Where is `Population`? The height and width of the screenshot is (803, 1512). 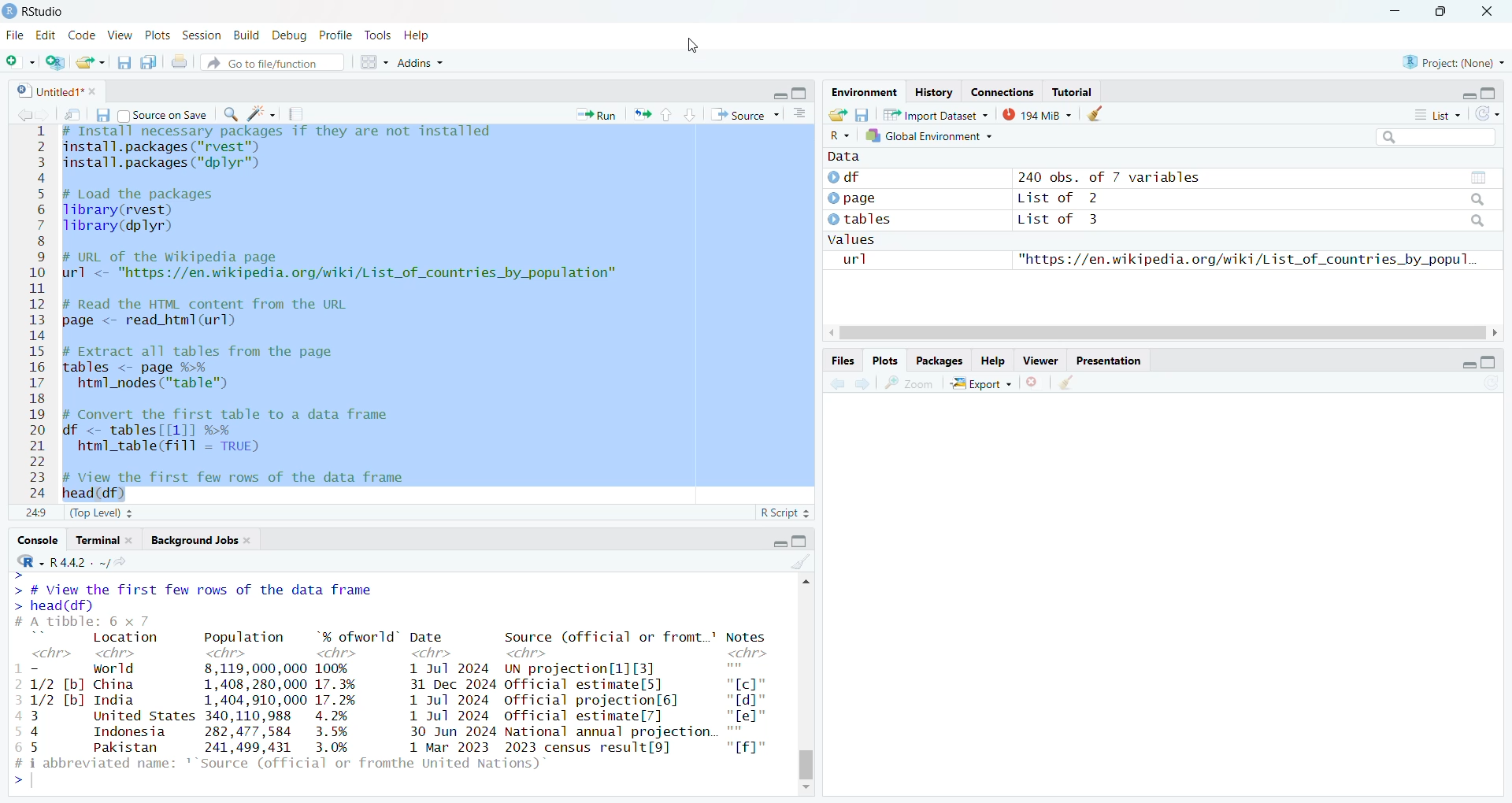
Population is located at coordinates (244, 637).